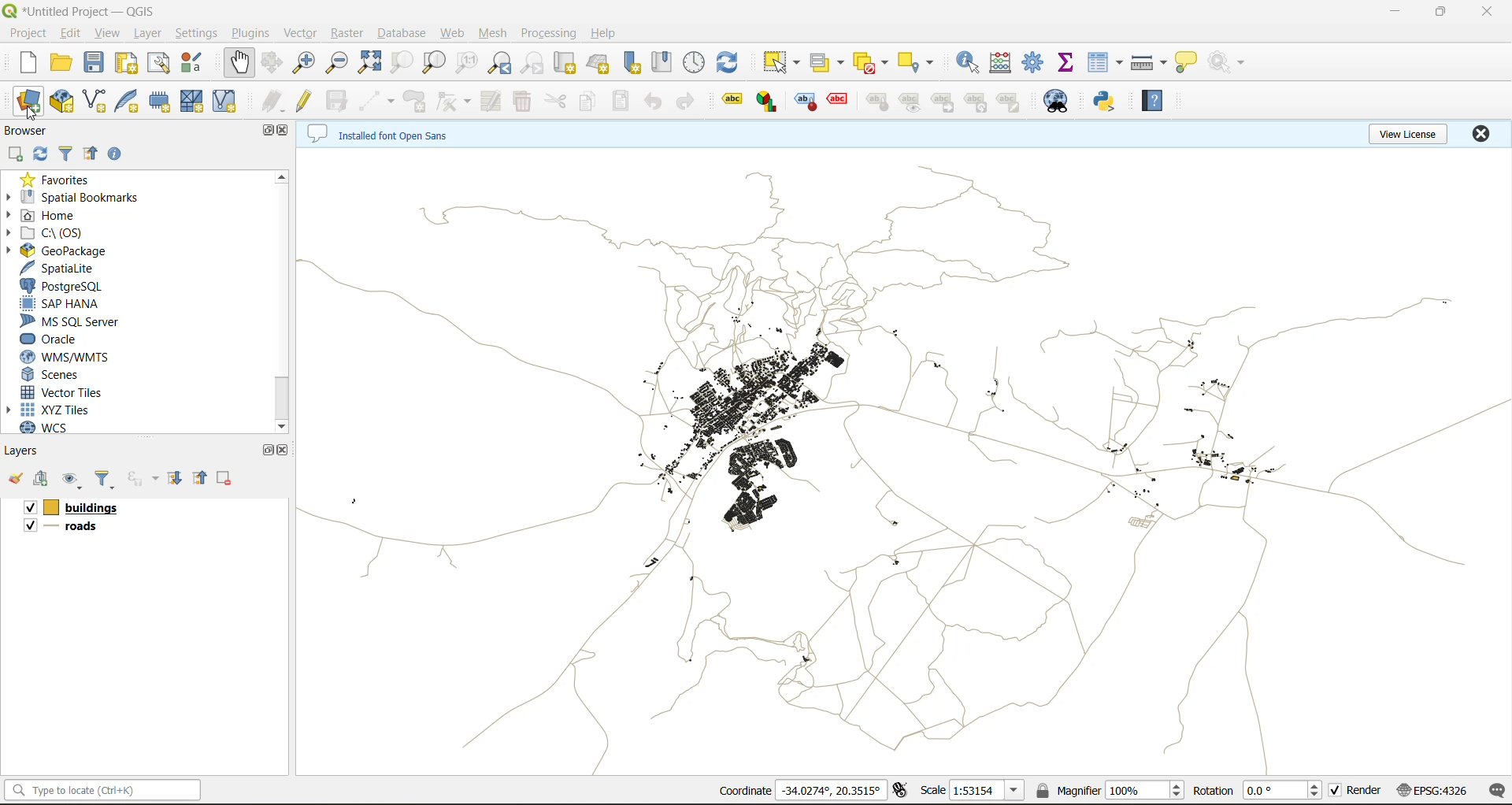 Image resolution: width=1512 pixels, height=805 pixels. Describe the element at coordinates (286, 129) in the screenshot. I see `close` at that location.